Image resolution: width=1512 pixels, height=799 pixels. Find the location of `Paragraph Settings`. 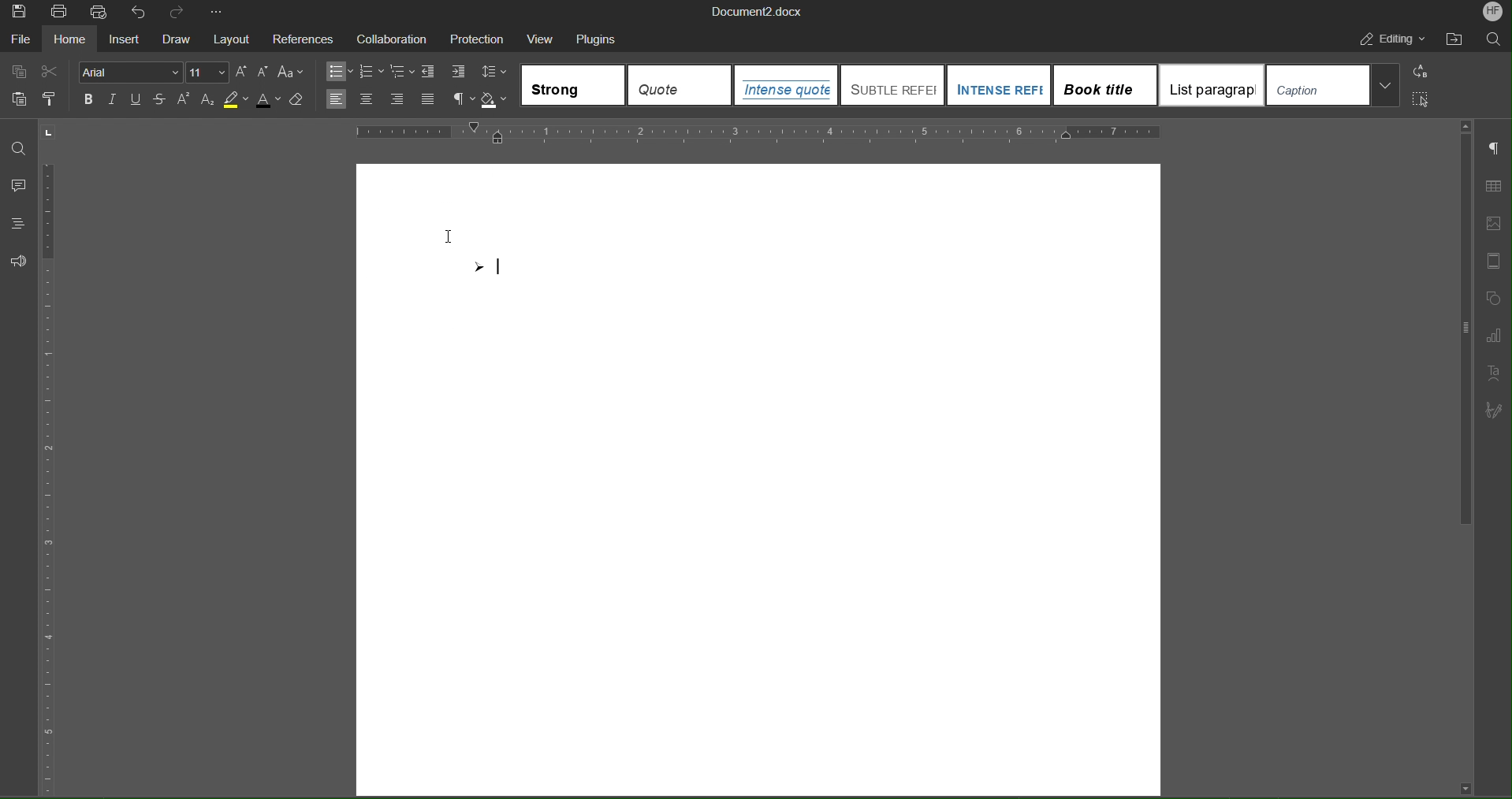

Paragraph Settings is located at coordinates (1492, 151).